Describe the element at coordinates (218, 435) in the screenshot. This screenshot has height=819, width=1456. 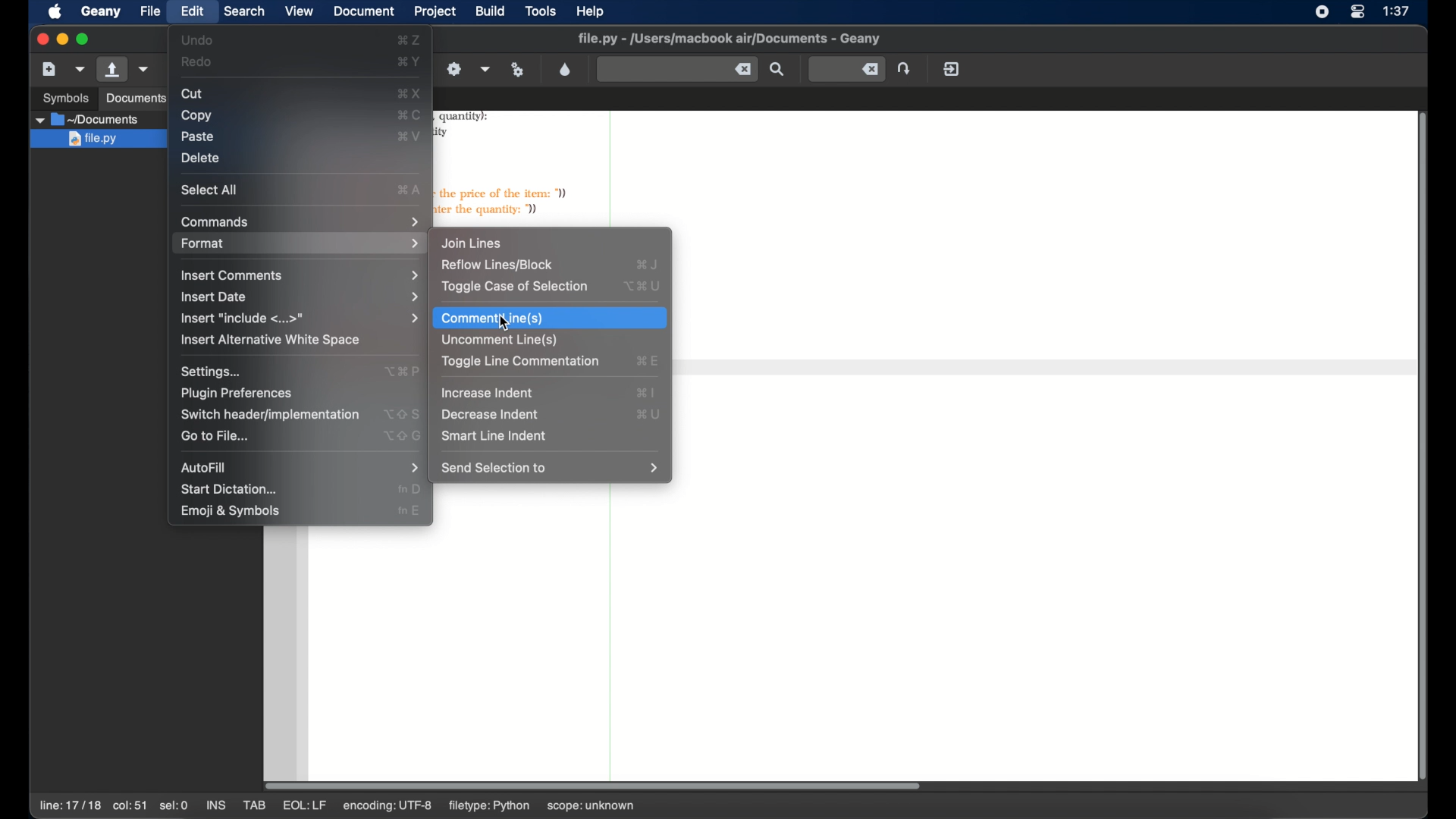
I see `go to file` at that location.